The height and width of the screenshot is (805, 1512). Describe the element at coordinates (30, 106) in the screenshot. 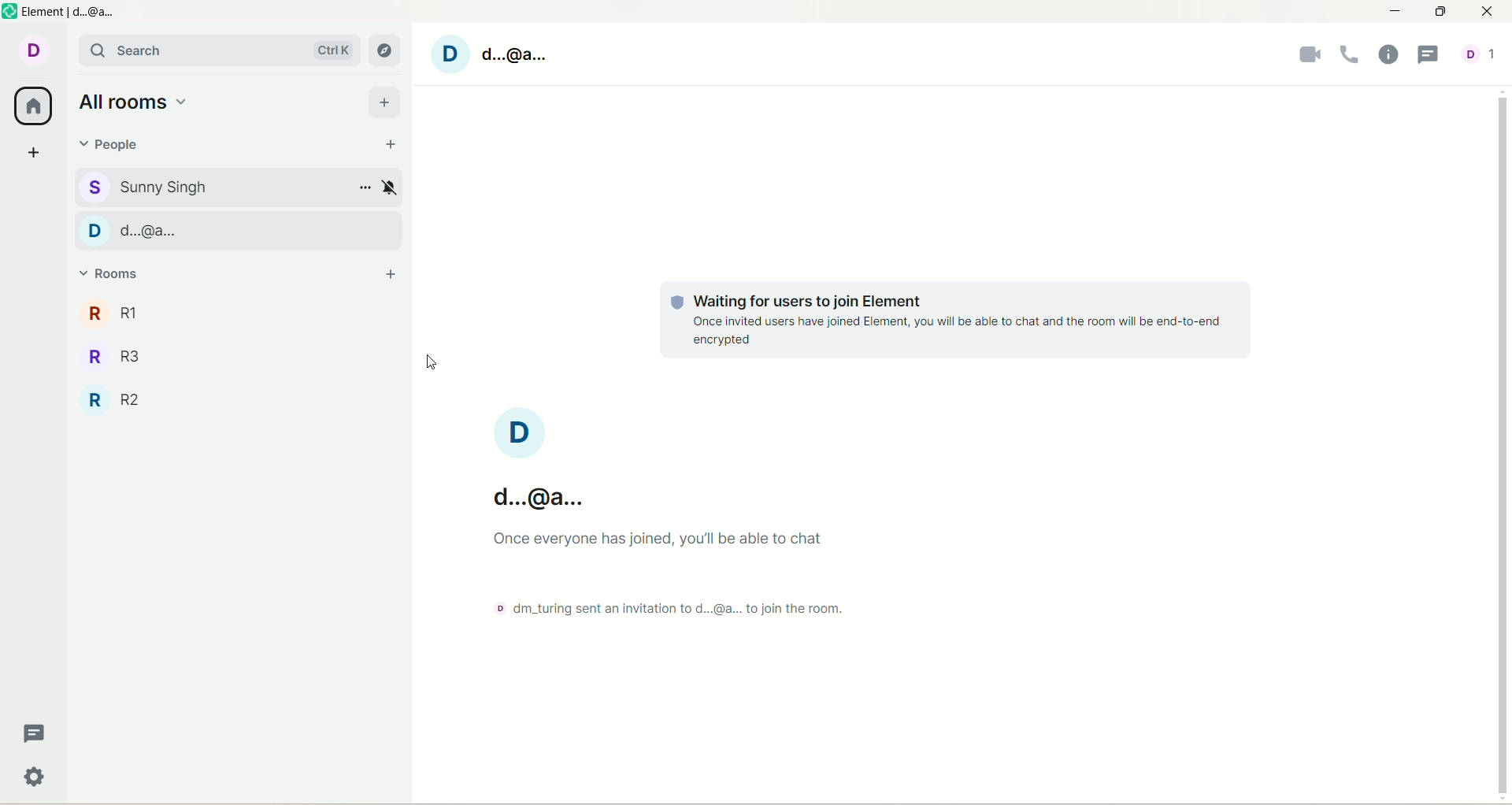

I see `all rooms` at that location.